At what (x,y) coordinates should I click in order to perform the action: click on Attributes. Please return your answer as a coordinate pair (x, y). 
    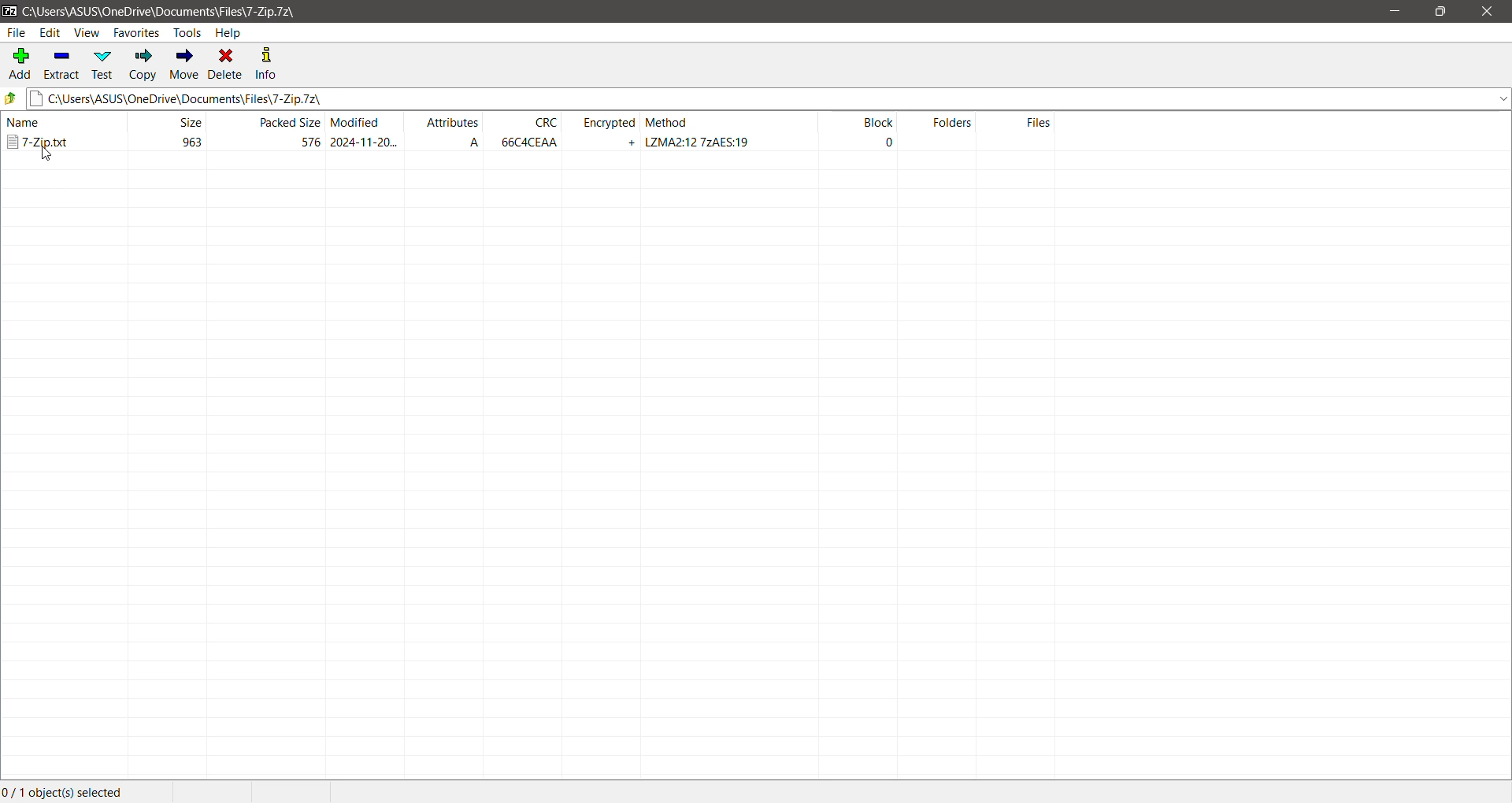
    Looking at the image, I should click on (450, 132).